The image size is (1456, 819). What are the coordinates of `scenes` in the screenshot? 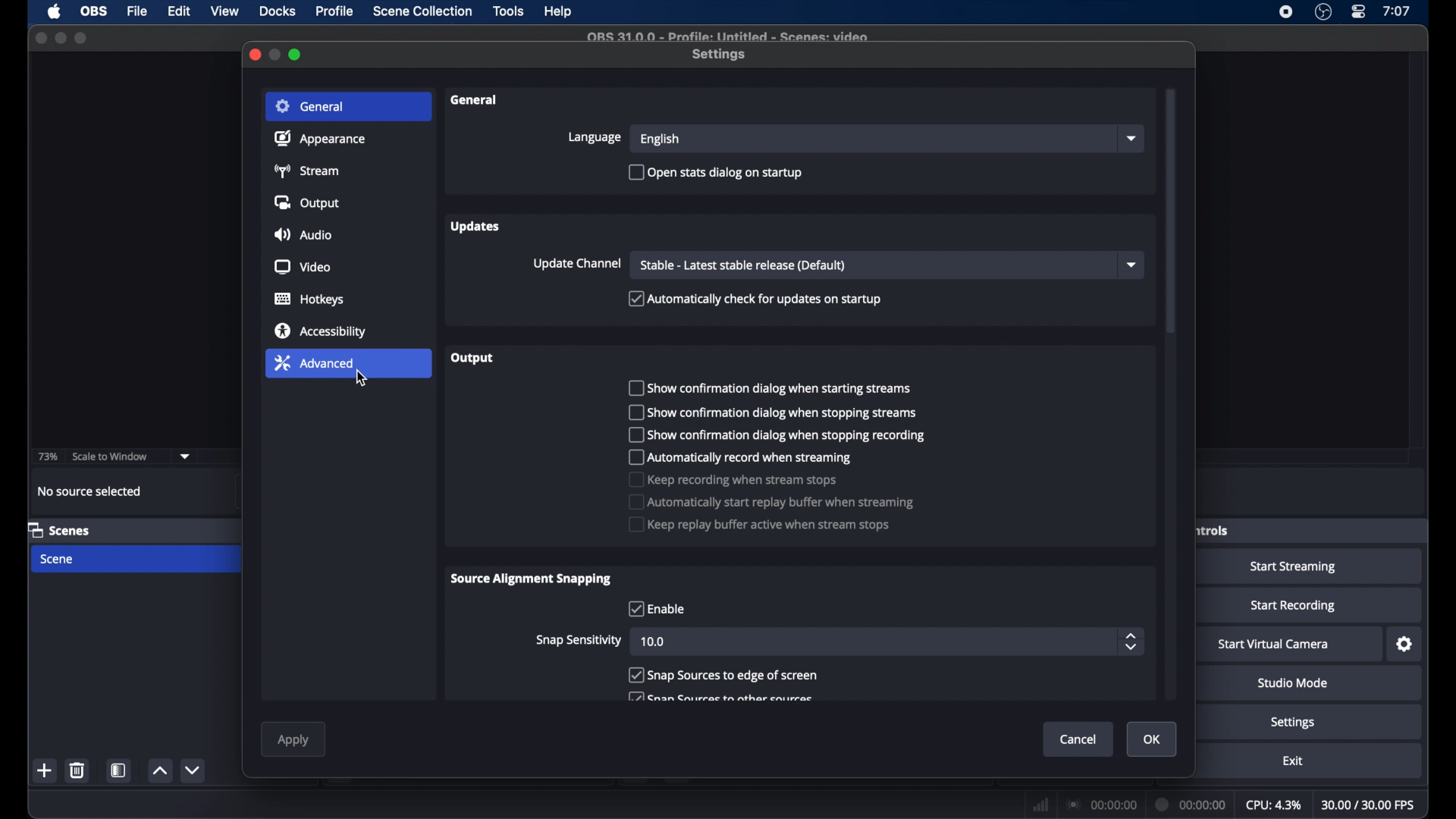 It's located at (58, 530).